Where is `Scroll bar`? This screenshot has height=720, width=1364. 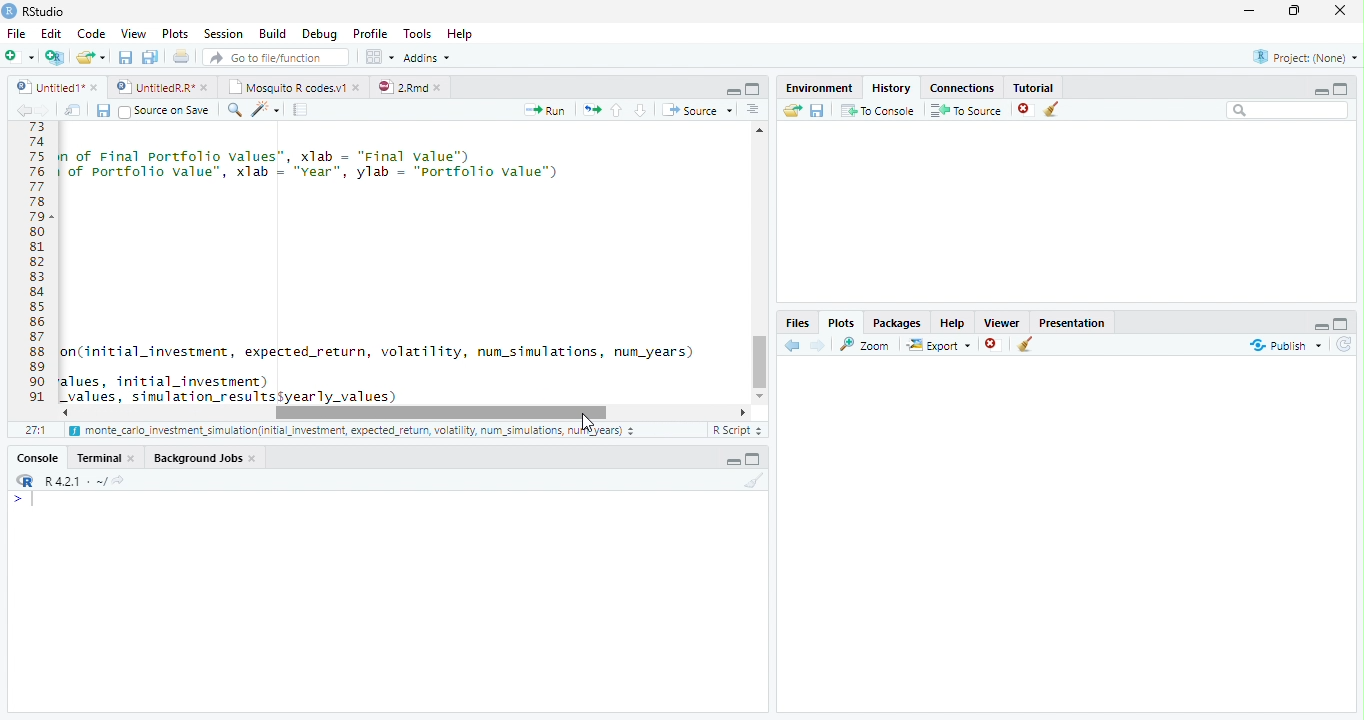 Scroll bar is located at coordinates (440, 412).